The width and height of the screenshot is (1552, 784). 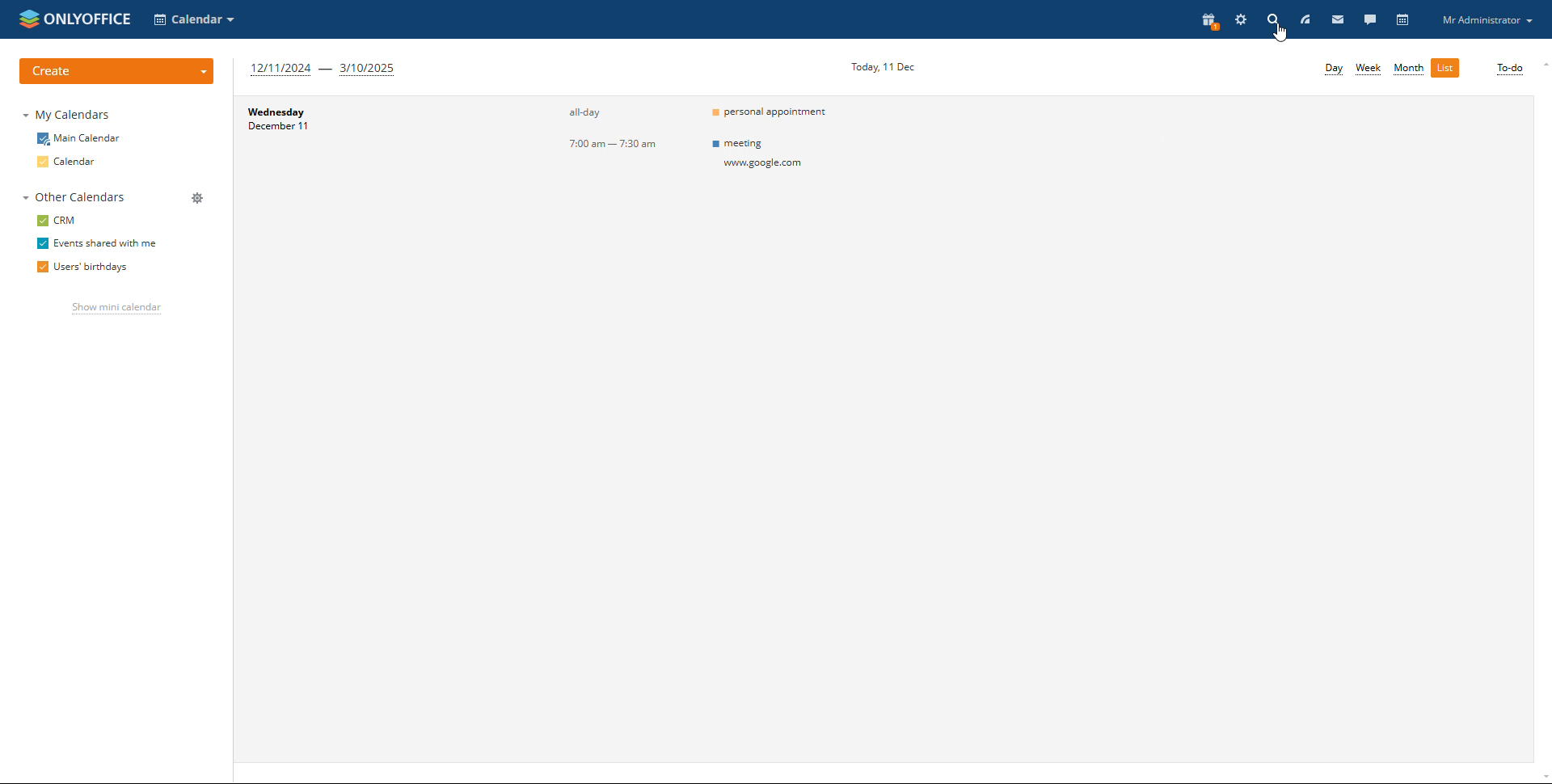 What do you see at coordinates (784, 157) in the screenshot?
I see `= personal appointment
m meeting
wow google.com` at bounding box center [784, 157].